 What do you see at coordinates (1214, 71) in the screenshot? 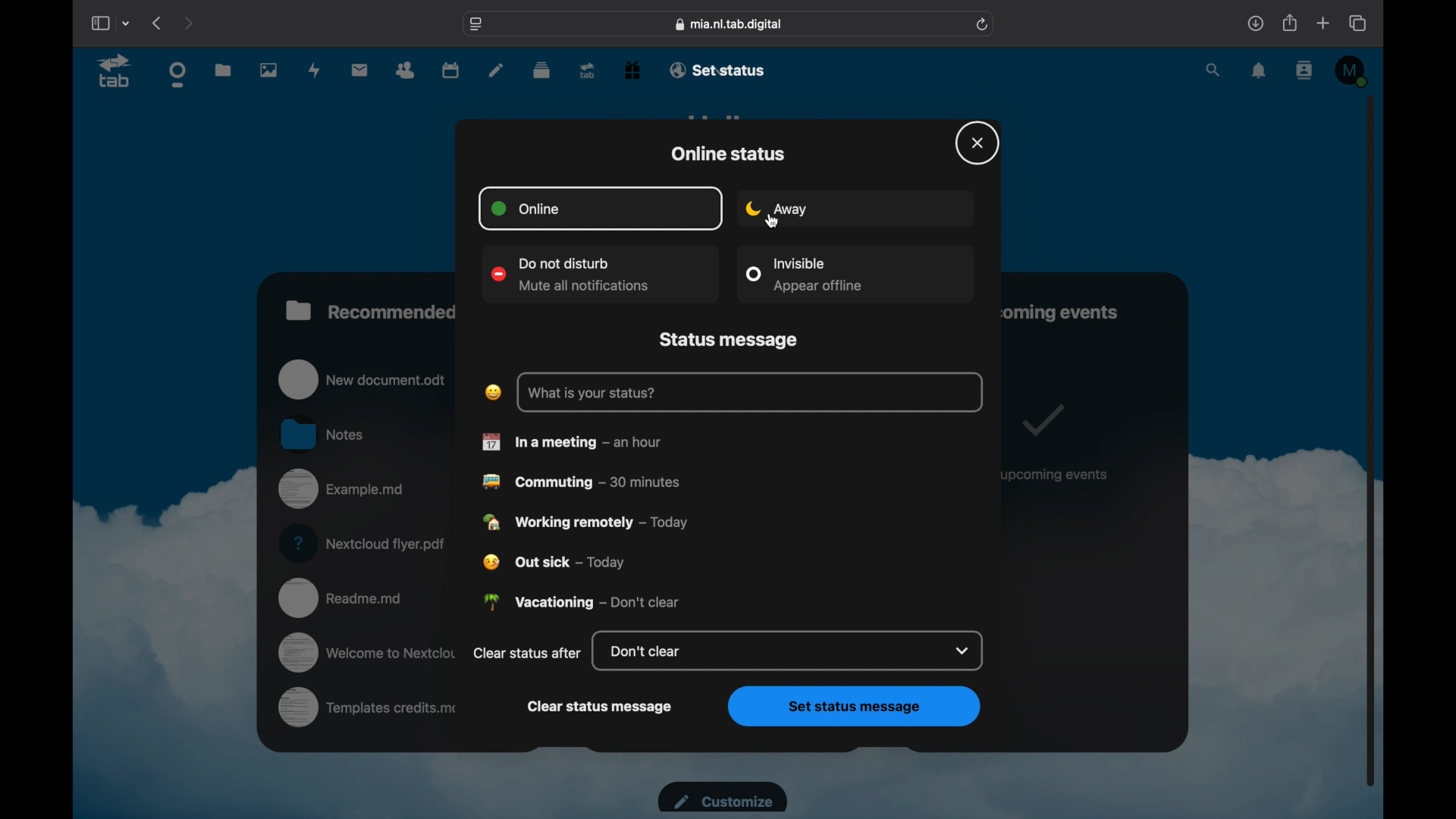
I see `search` at bounding box center [1214, 71].